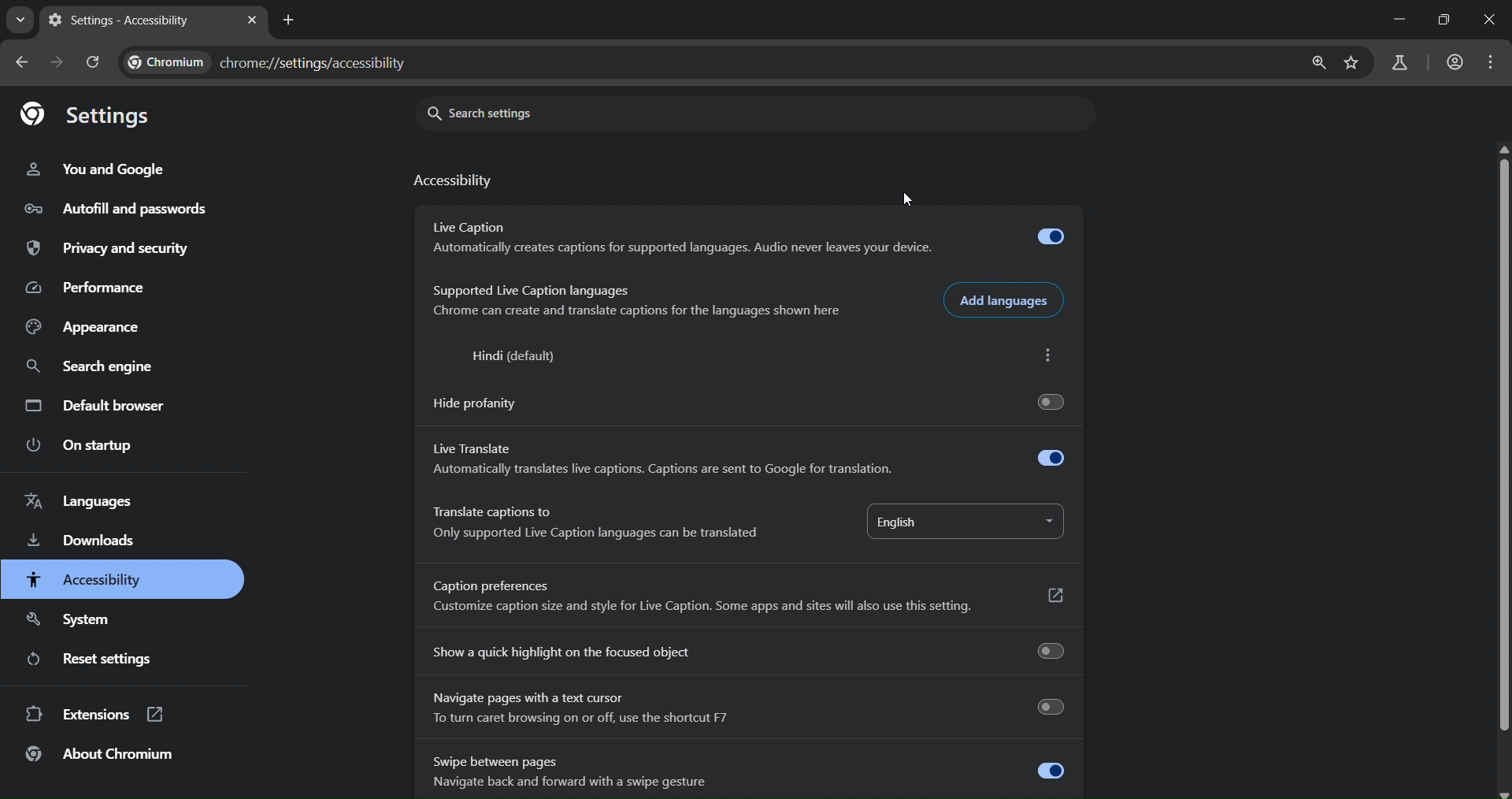  What do you see at coordinates (80, 503) in the screenshot?
I see `languages` at bounding box center [80, 503].